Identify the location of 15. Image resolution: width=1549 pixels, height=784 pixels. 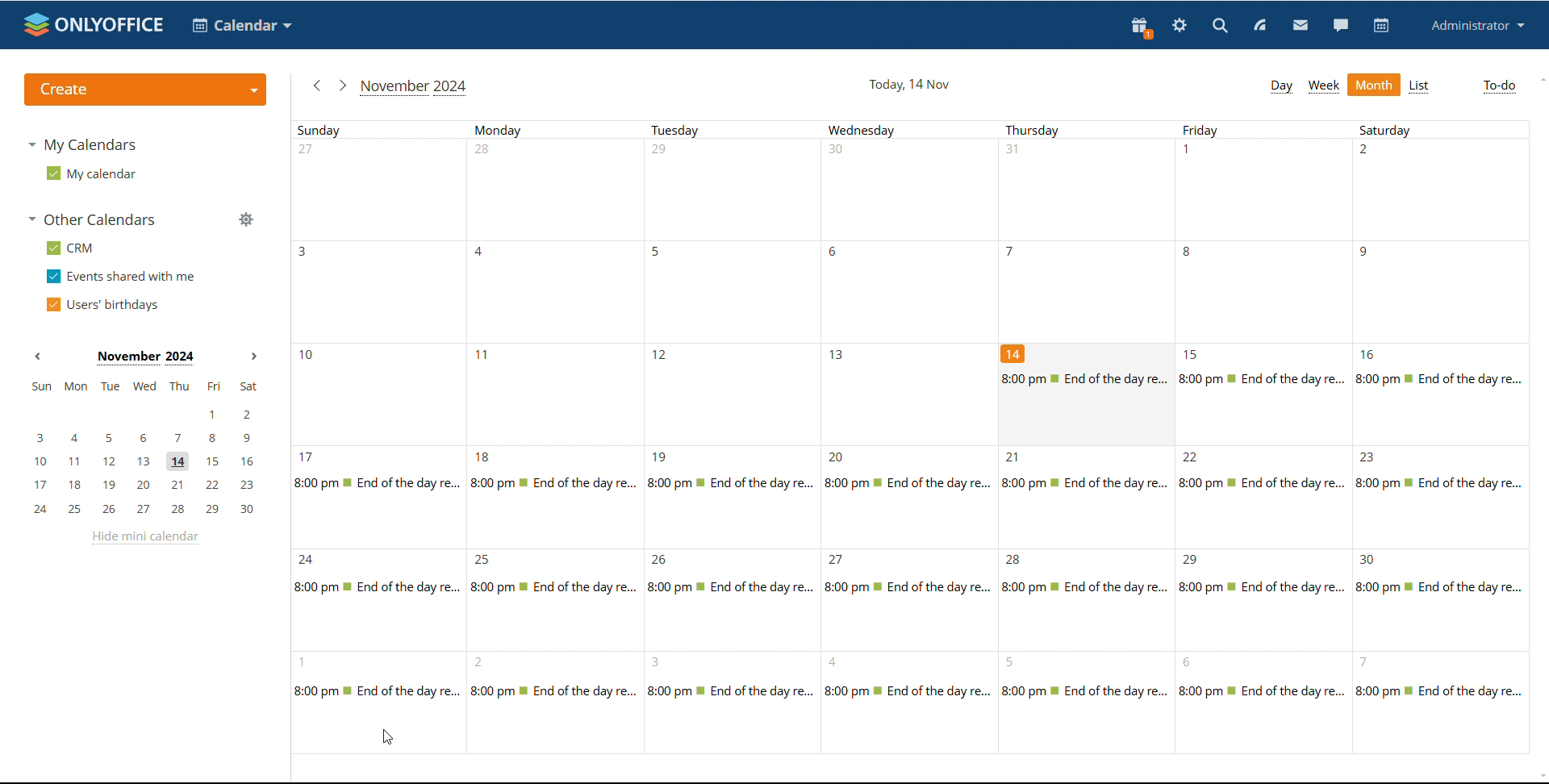
(1184, 357).